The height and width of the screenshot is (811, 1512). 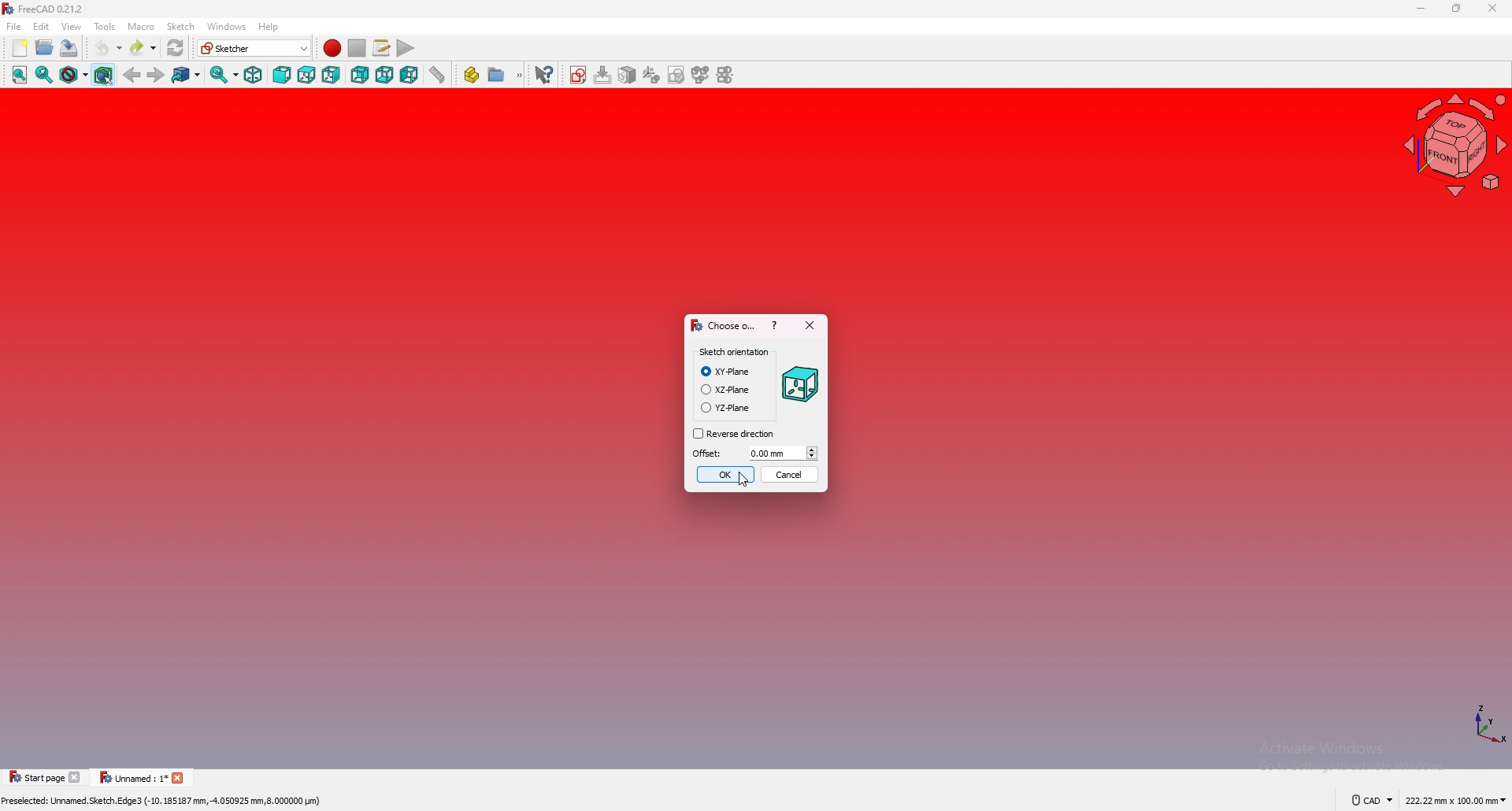 I want to click on dimensions, so click(x=1455, y=801).